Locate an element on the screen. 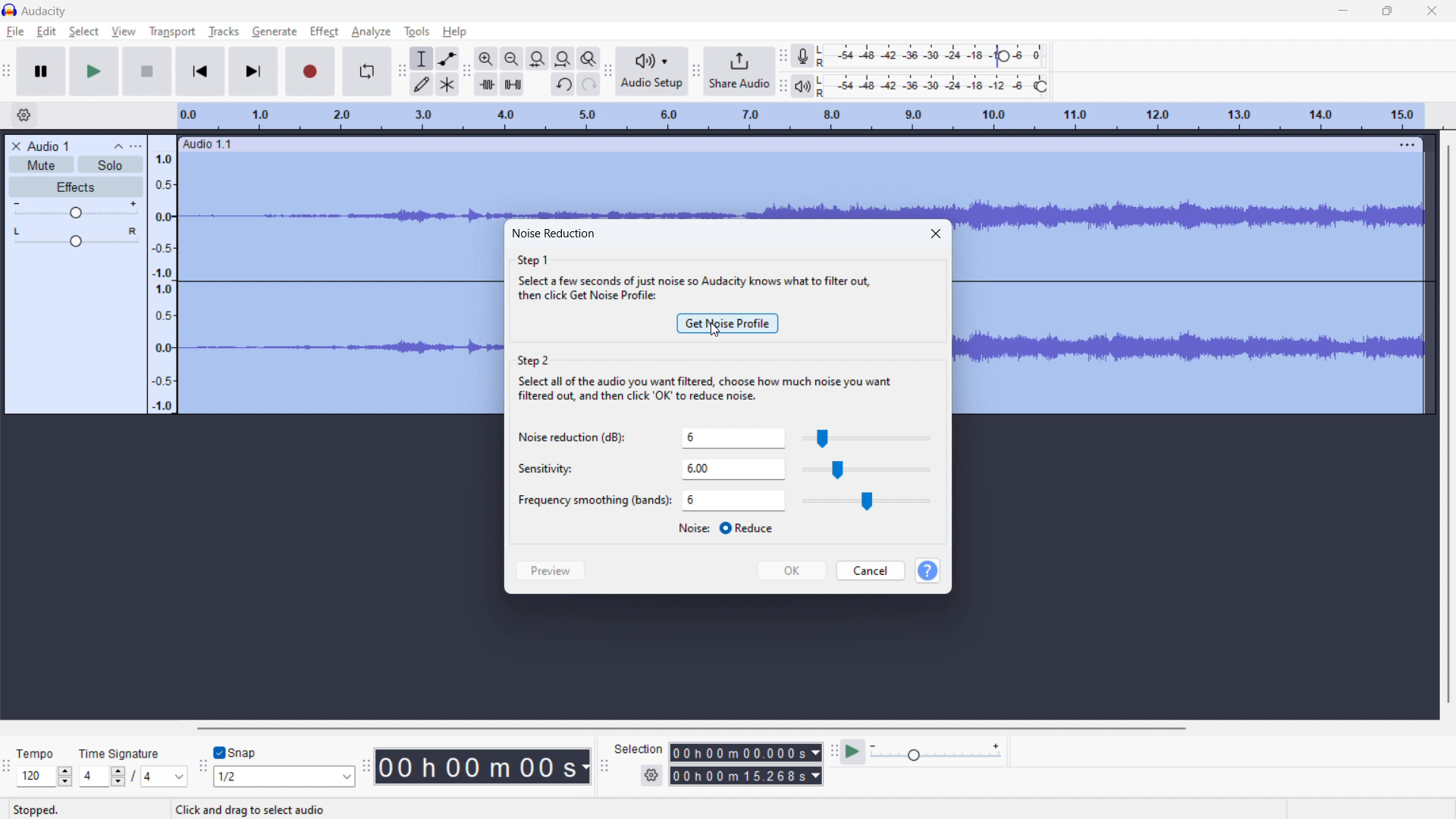  tools is located at coordinates (417, 32).